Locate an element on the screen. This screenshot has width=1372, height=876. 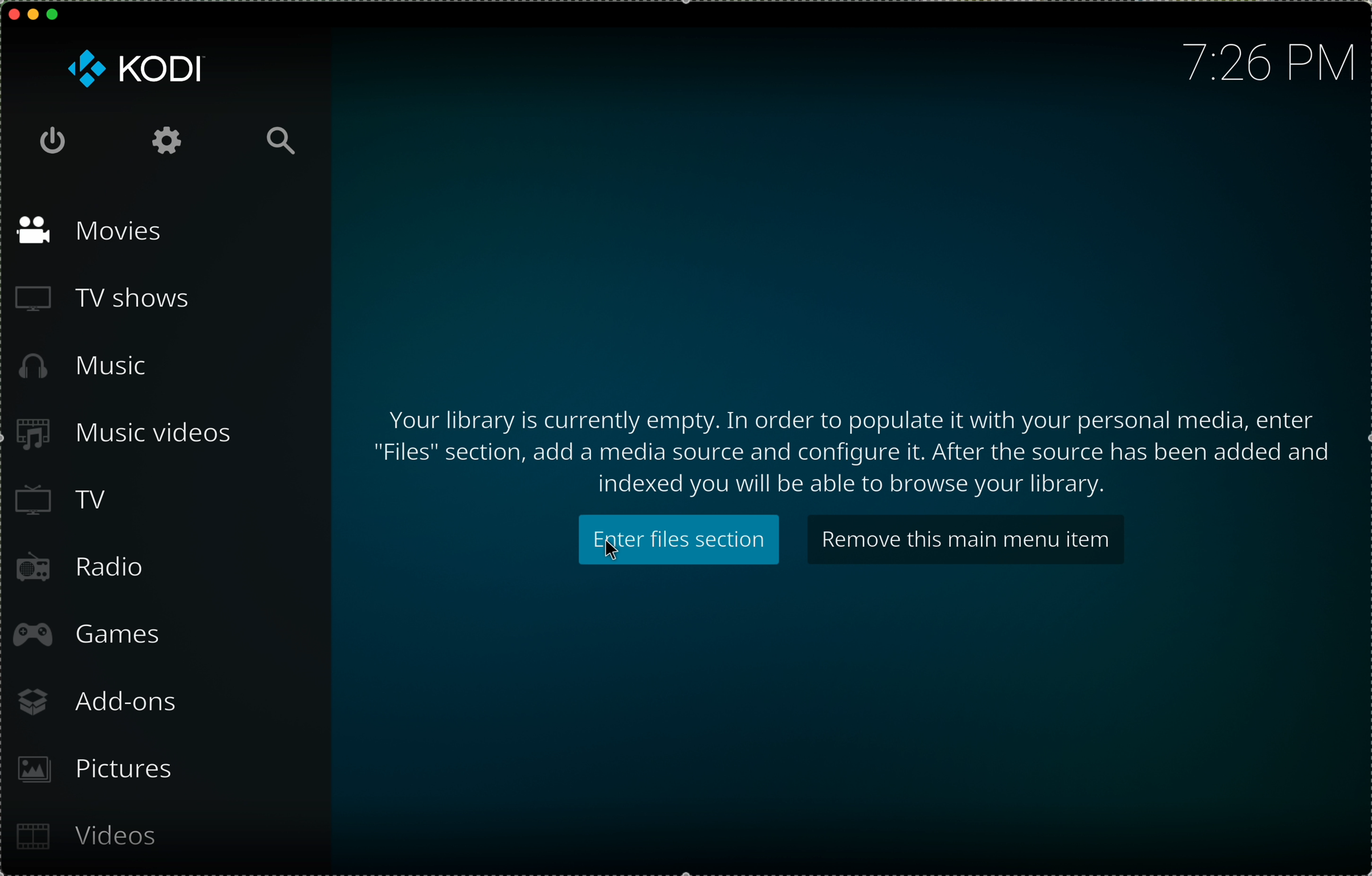
movies option is located at coordinates (85, 230).